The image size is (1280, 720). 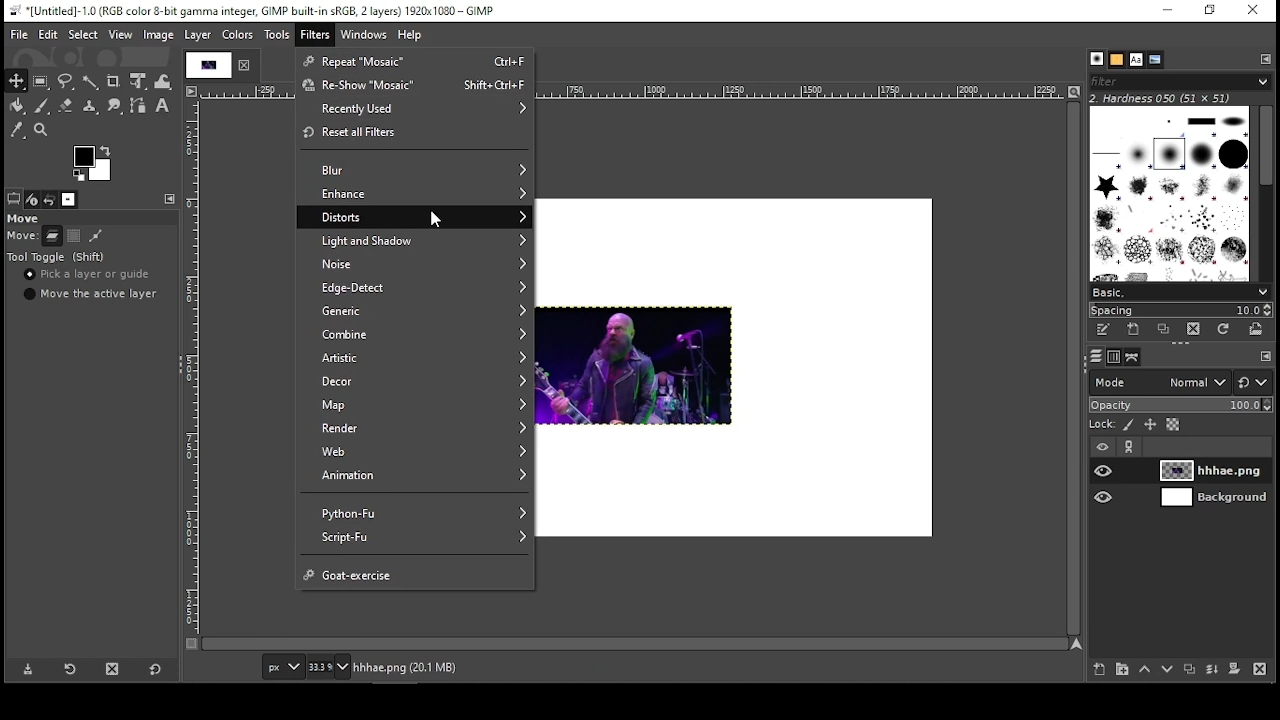 I want to click on zoom tool, so click(x=41, y=130).